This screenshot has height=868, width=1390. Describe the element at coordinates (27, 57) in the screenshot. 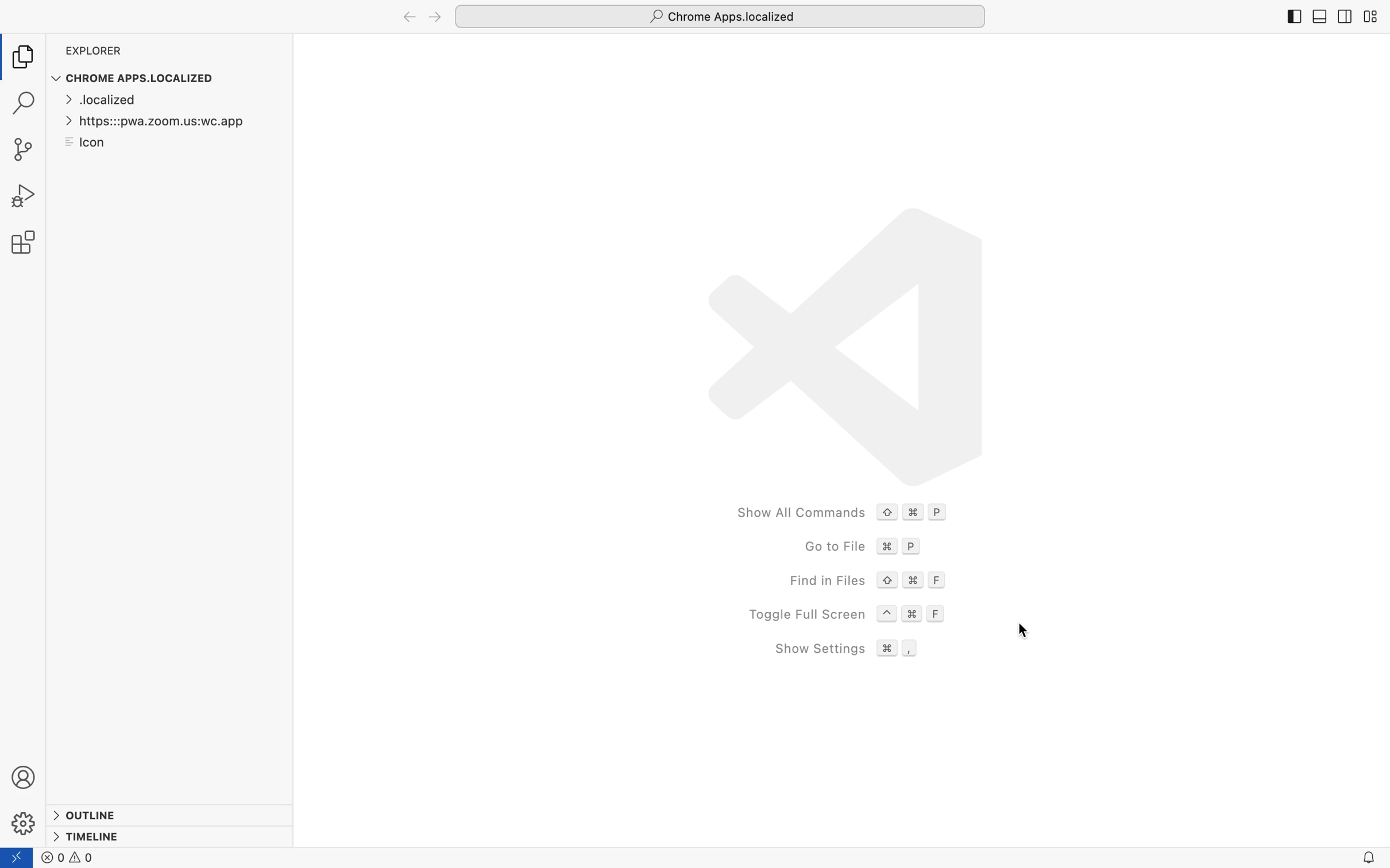

I see `explorer` at that location.